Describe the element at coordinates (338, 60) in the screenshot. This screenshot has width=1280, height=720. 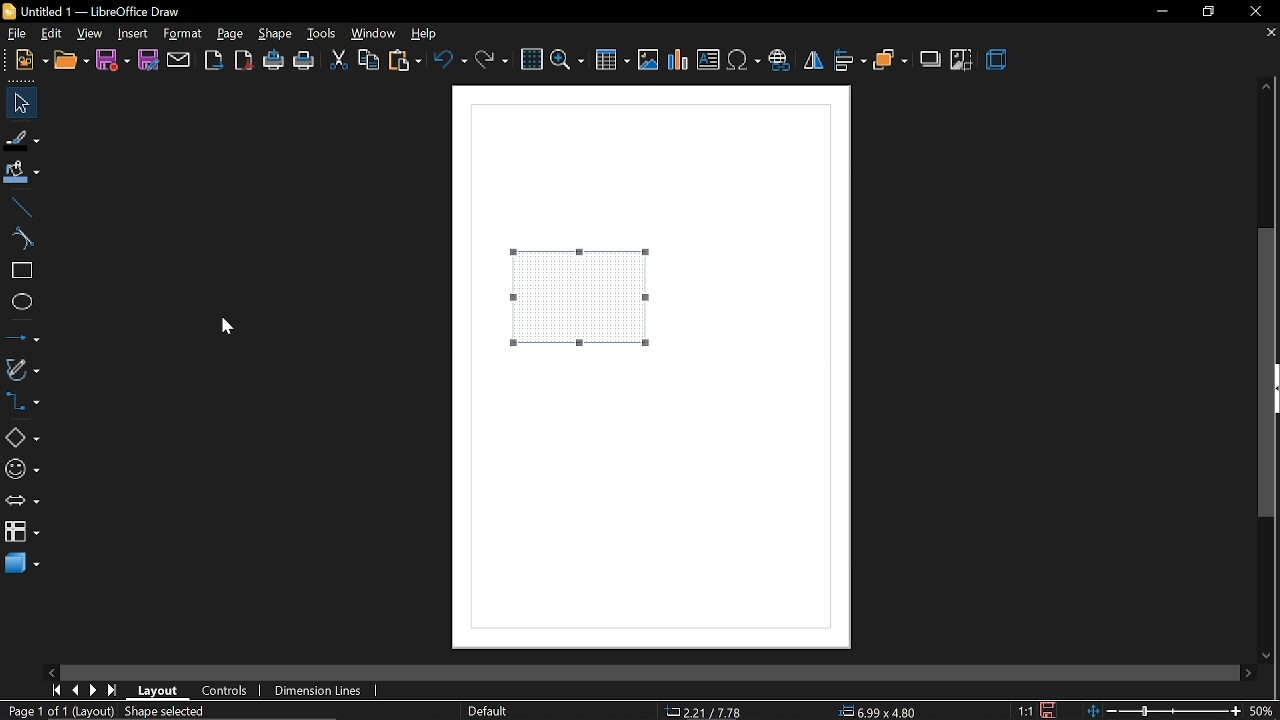
I see `cut` at that location.